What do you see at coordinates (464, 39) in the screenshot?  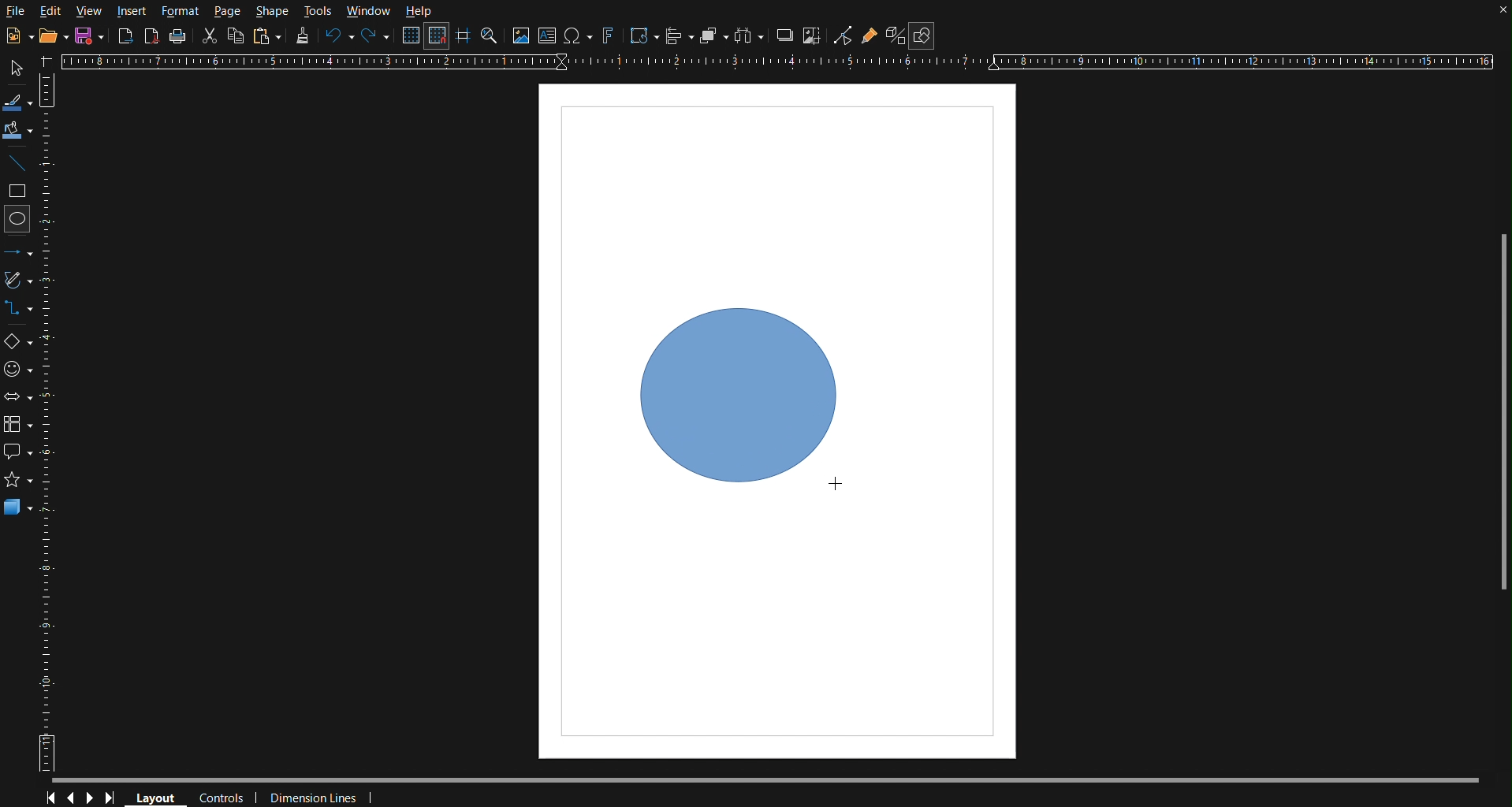 I see `Guidelines while moving` at bounding box center [464, 39].